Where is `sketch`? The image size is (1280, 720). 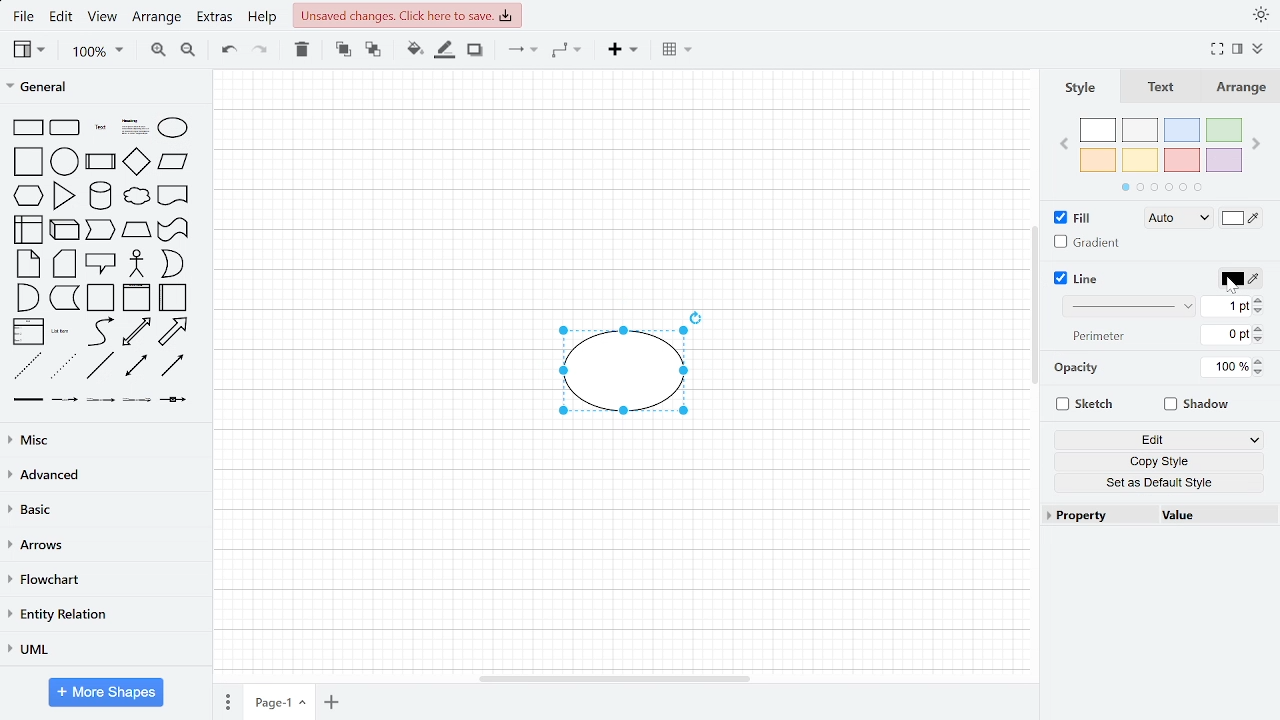
sketch is located at coordinates (1086, 405).